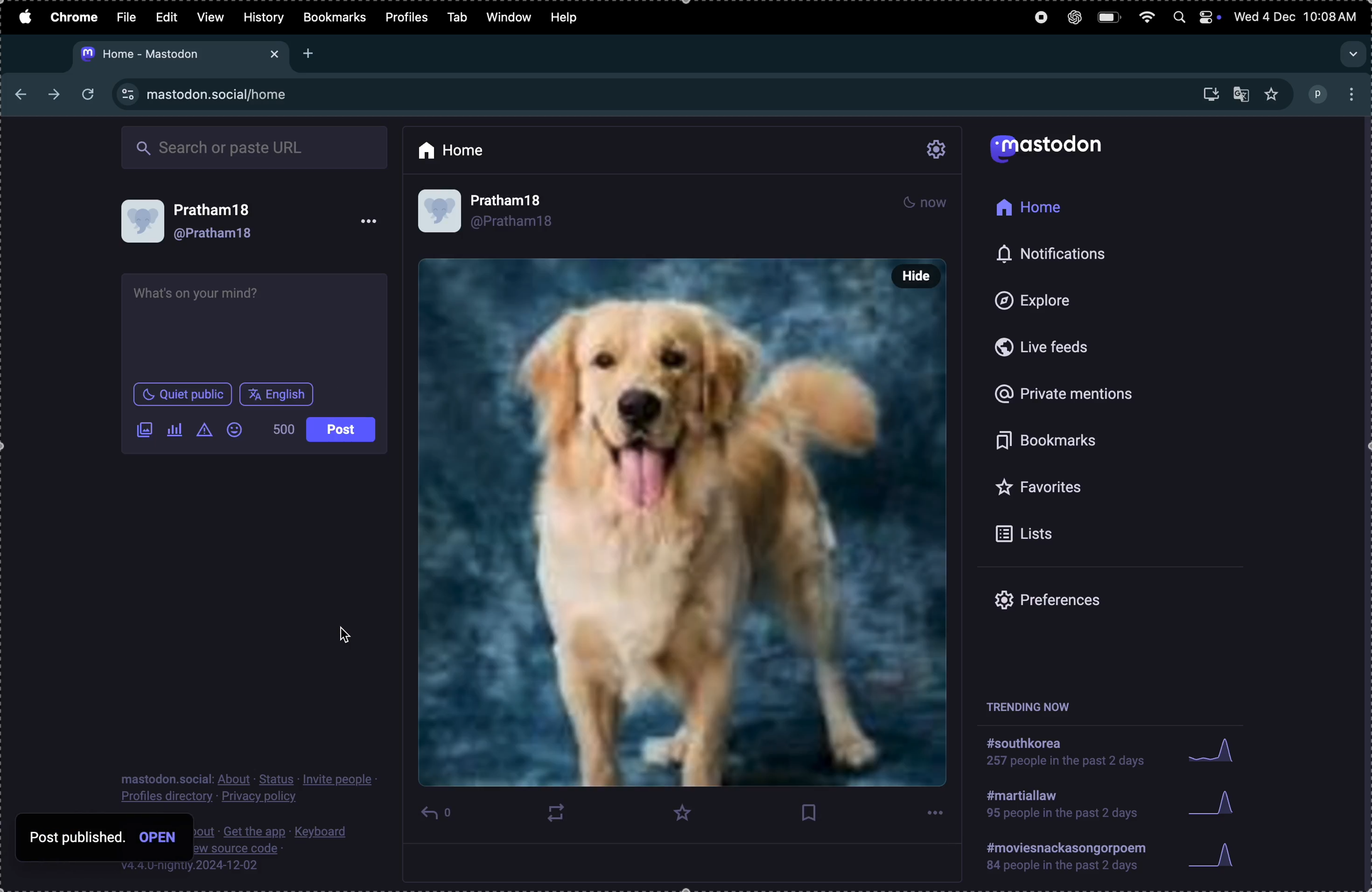  Describe the element at coordinates (263, 17) in the screenshot. I see `History` at that location.